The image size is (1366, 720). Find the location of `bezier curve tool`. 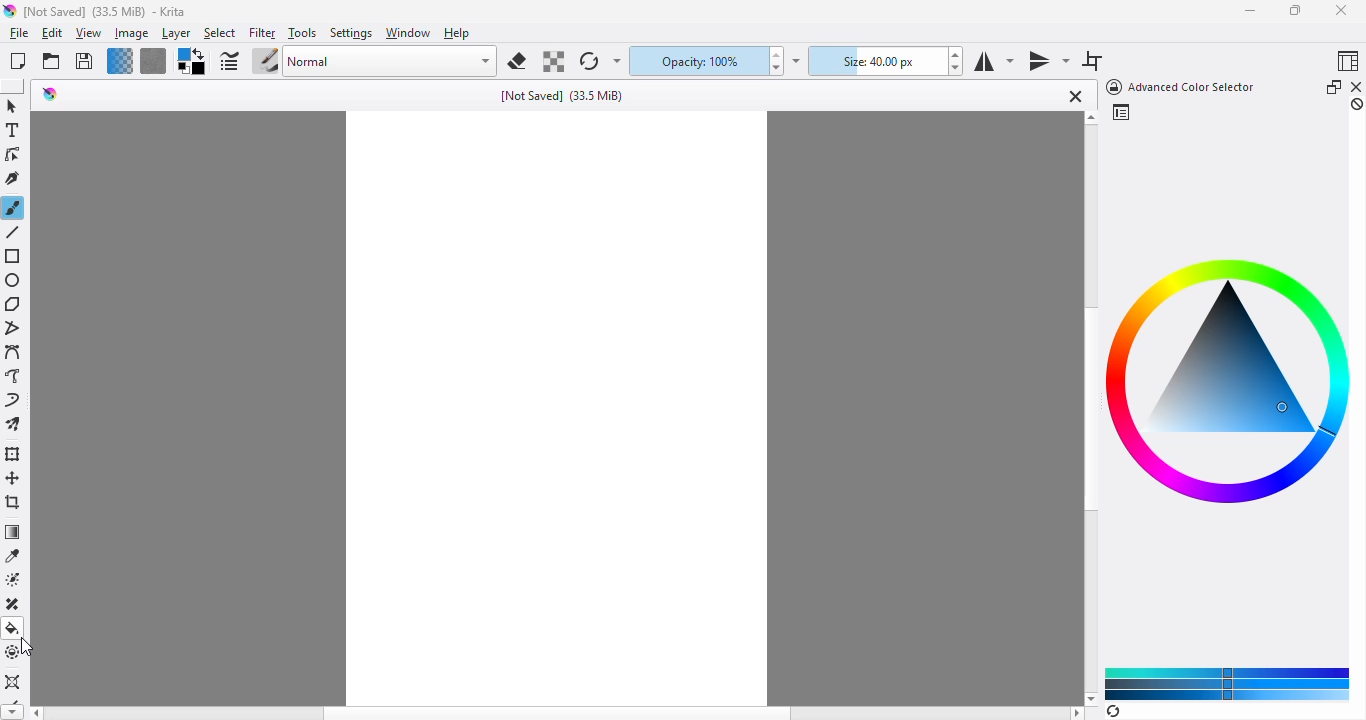

bezier curve tool is located at coordinates (14, 351).